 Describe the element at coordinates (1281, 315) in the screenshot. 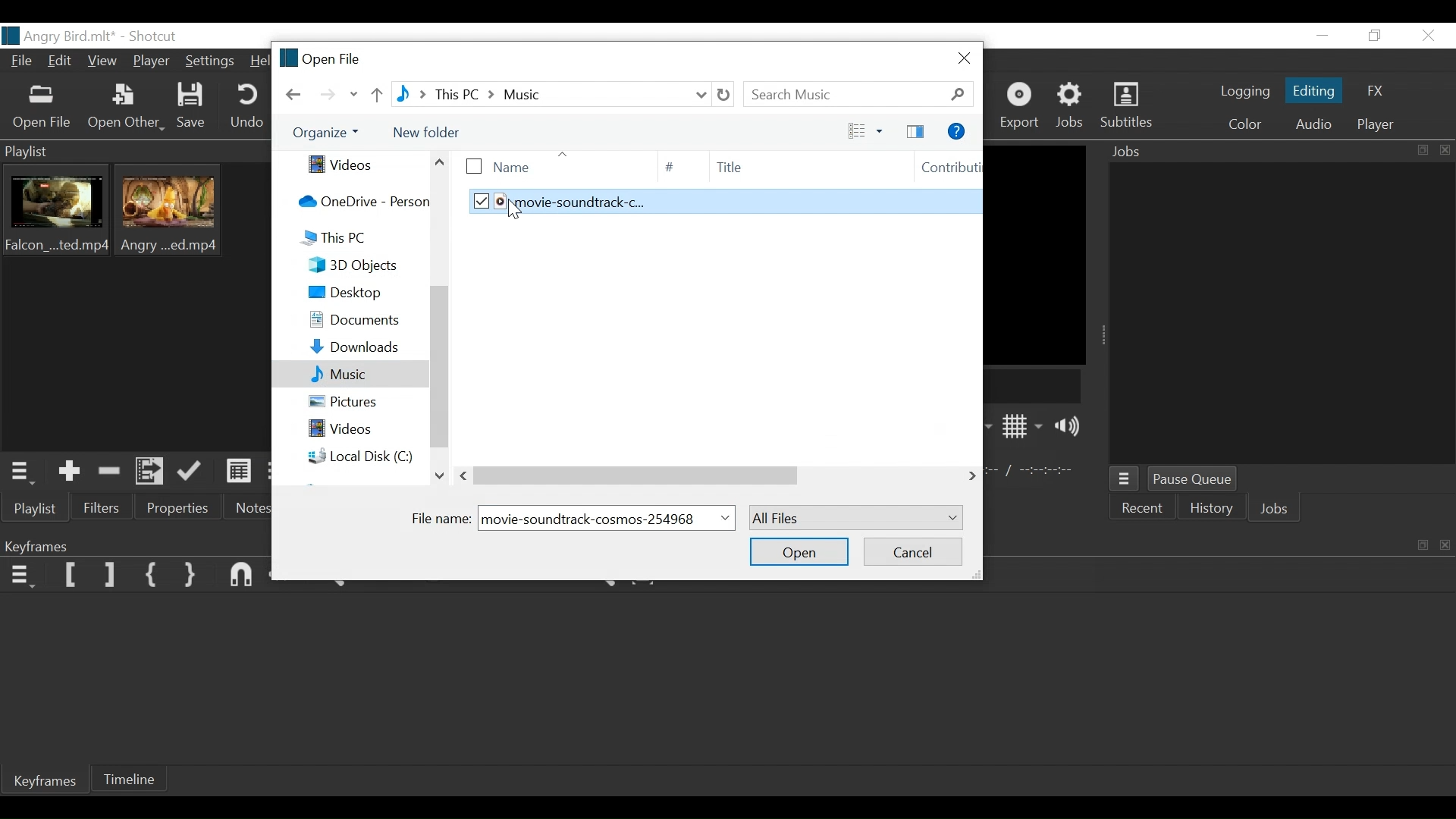

I see `Jobs Panel` at that location.